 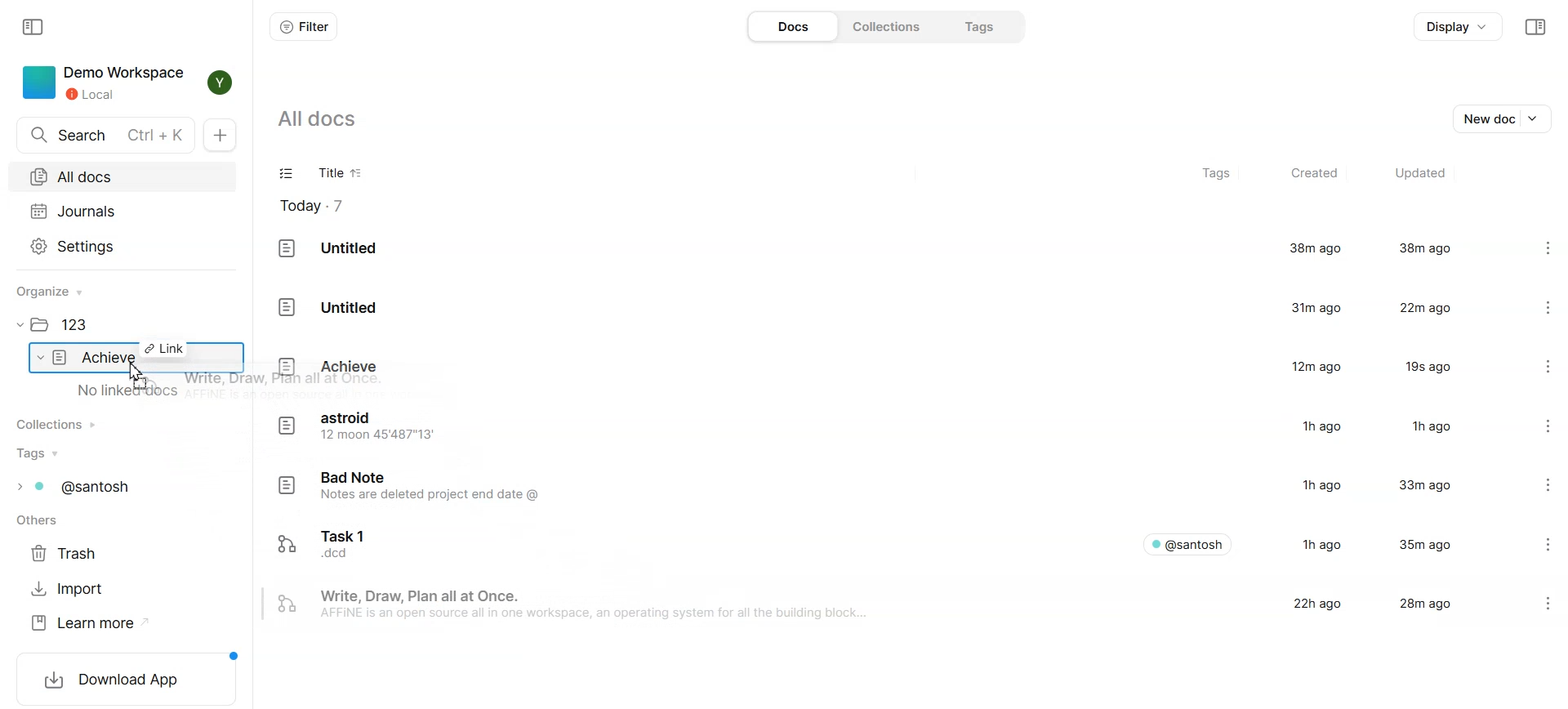 I want to click on Display, so click(x=1459, y=27).